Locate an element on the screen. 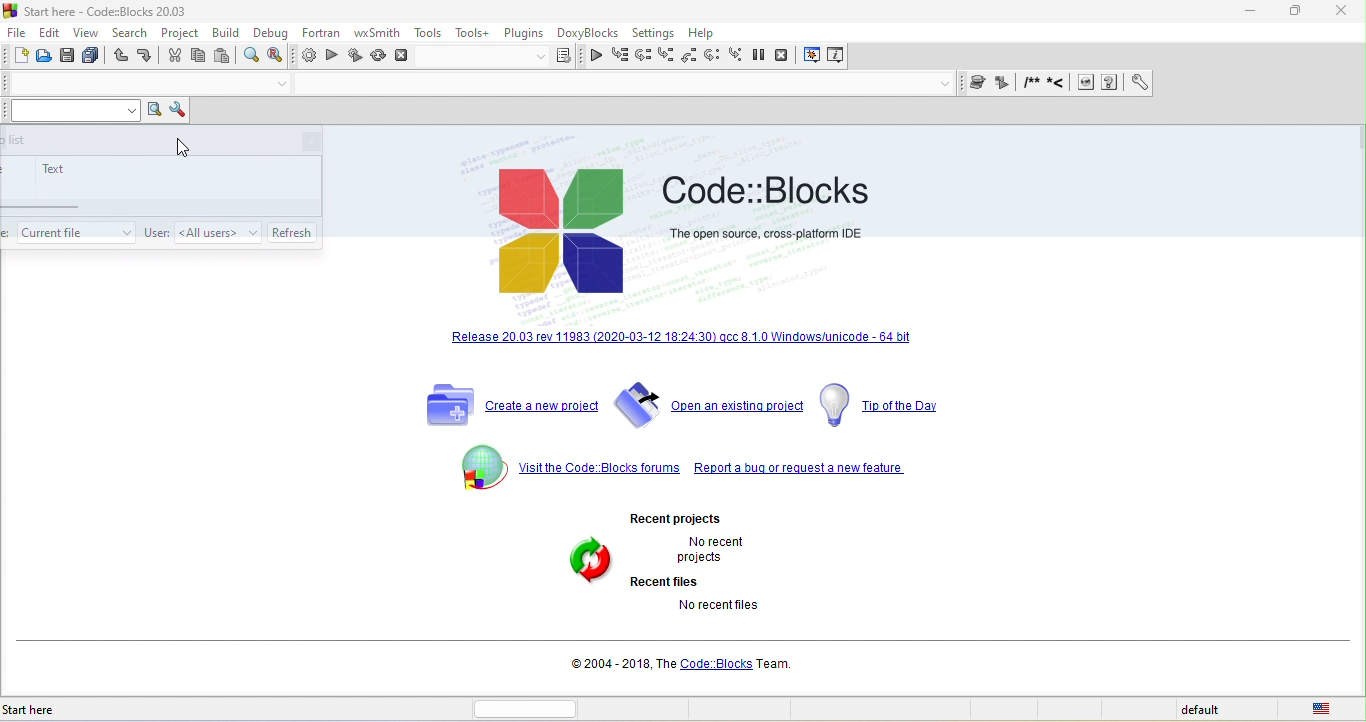  debug is located at coordinates (273, 33).